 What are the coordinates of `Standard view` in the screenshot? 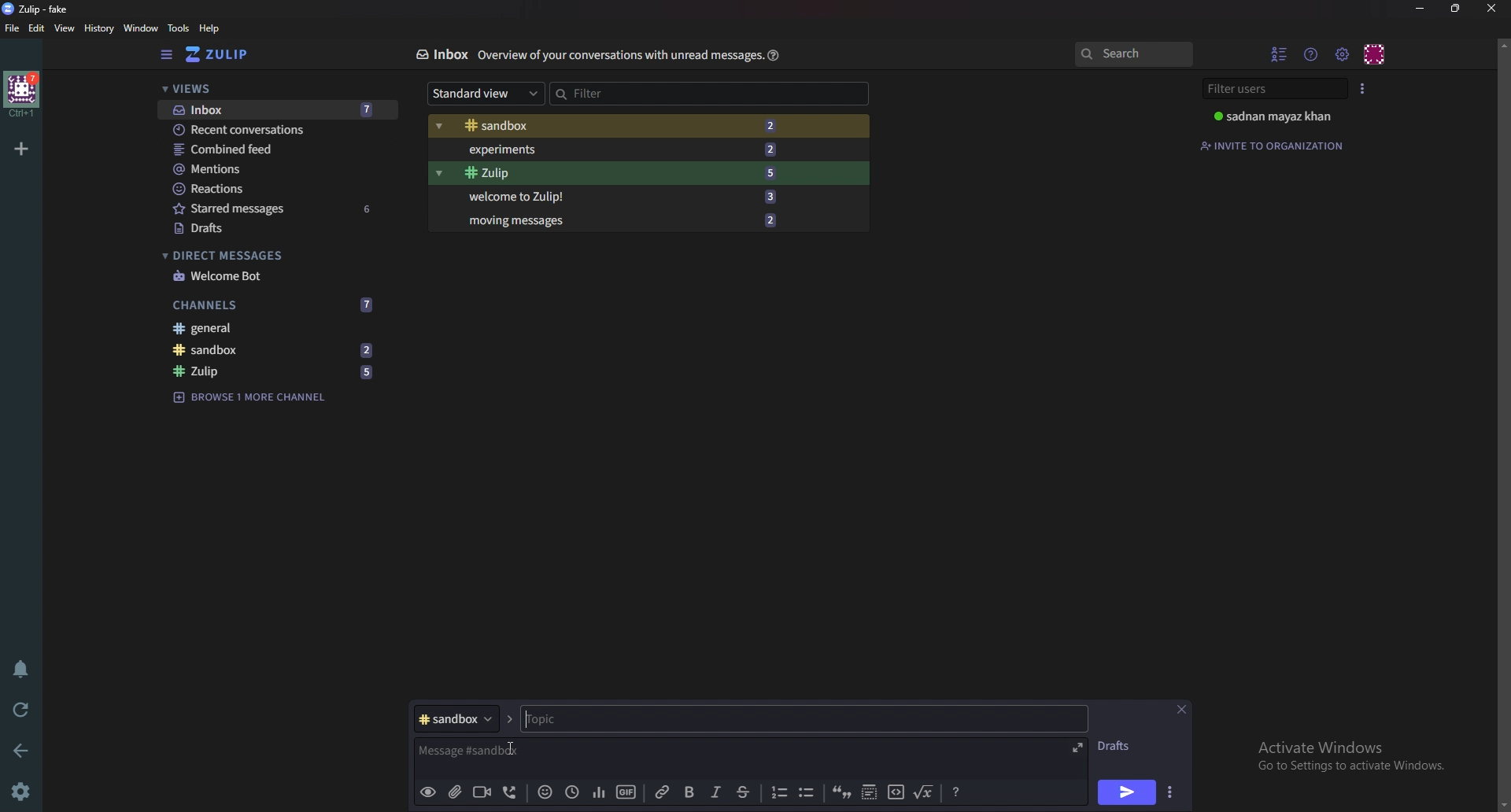 It's located at (486, 92).